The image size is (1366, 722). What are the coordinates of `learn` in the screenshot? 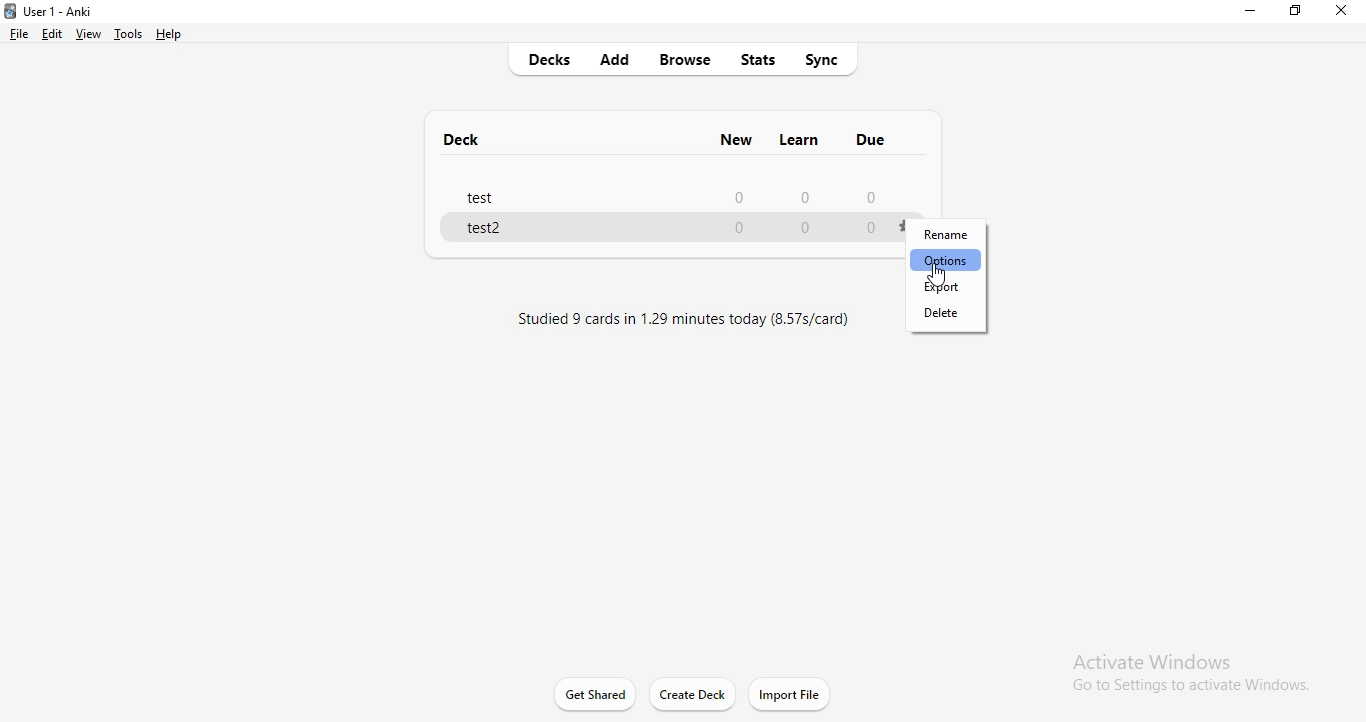 It's located at (803, 142).